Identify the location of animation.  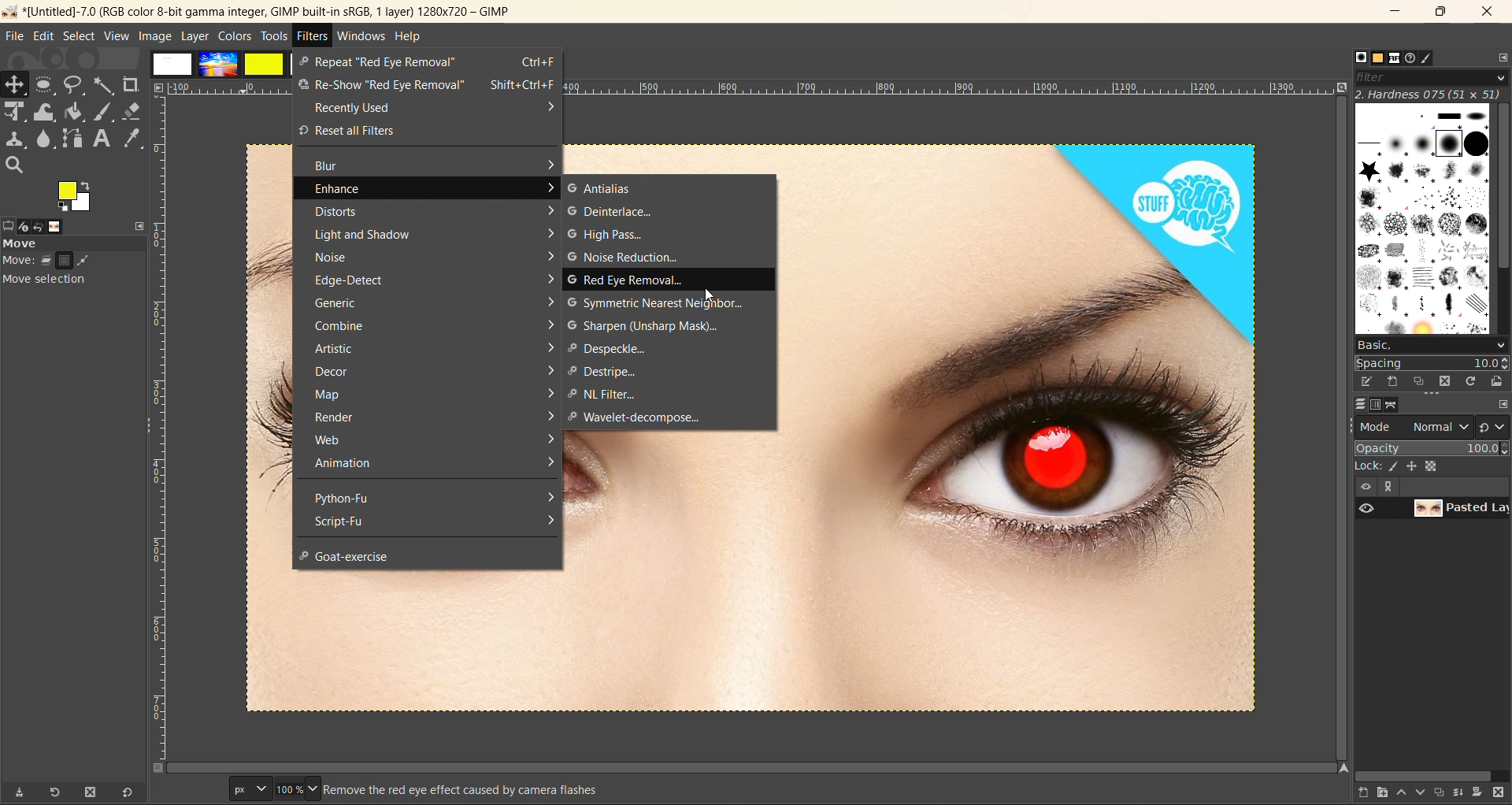
(433, 462).